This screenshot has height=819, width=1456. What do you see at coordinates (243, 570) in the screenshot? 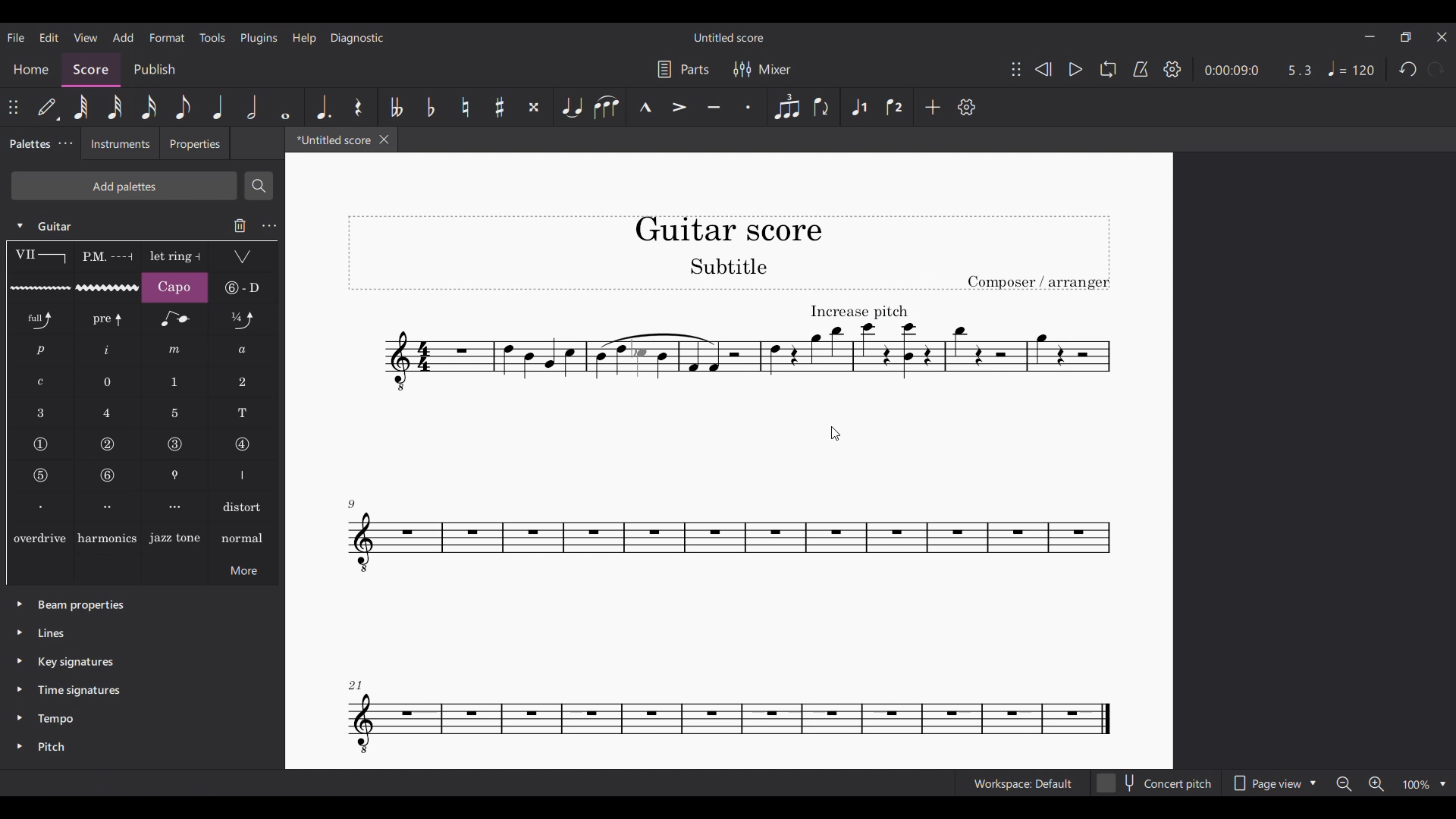
I see `More` at bounding box center [243, 570].